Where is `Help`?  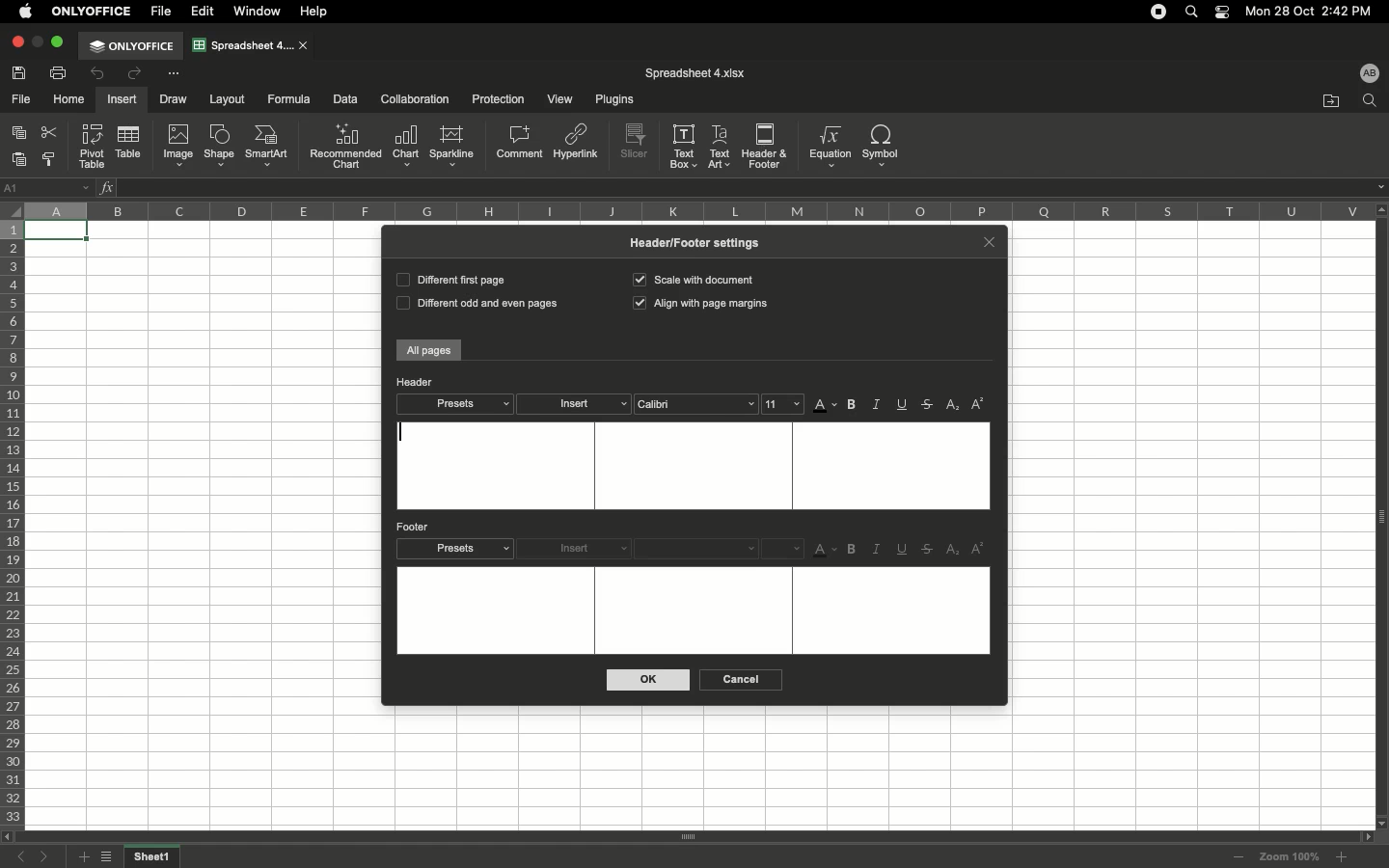 Help is located at coordinates (317, 12).